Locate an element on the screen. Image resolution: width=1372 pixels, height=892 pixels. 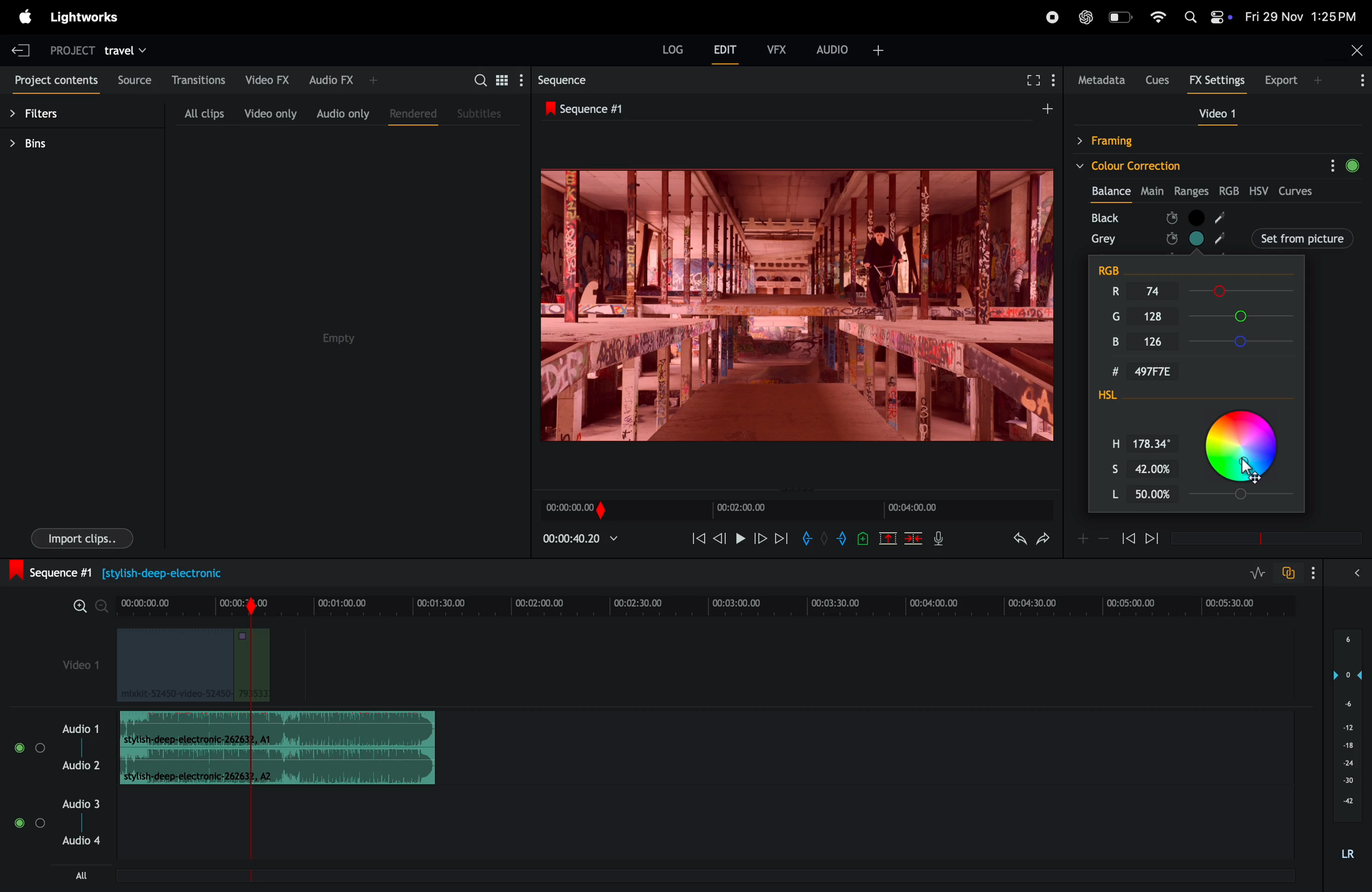
exit is located at coordinates (20, 47).